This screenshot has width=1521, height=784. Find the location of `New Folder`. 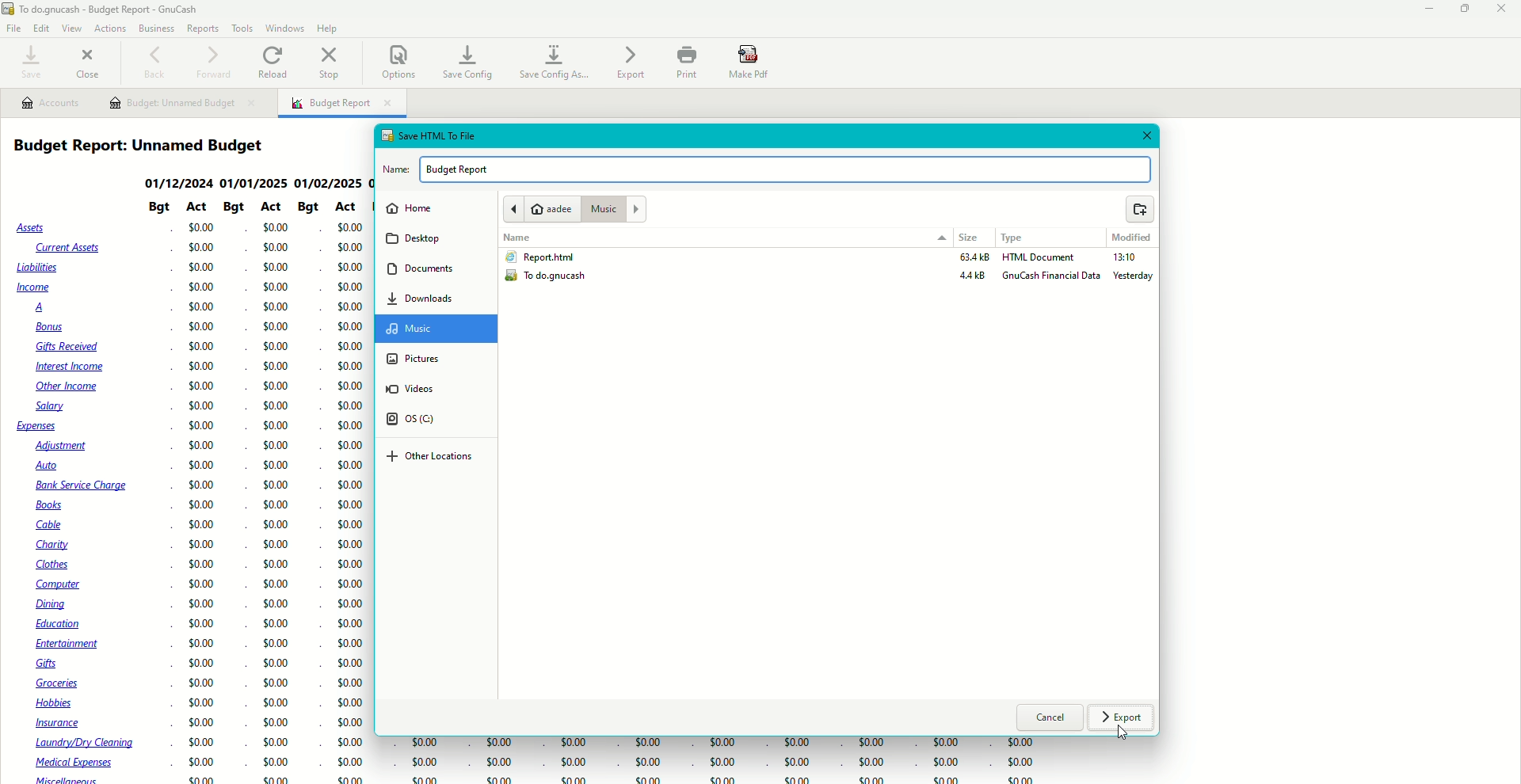

New Folder is located at coordinates (1140, 211).